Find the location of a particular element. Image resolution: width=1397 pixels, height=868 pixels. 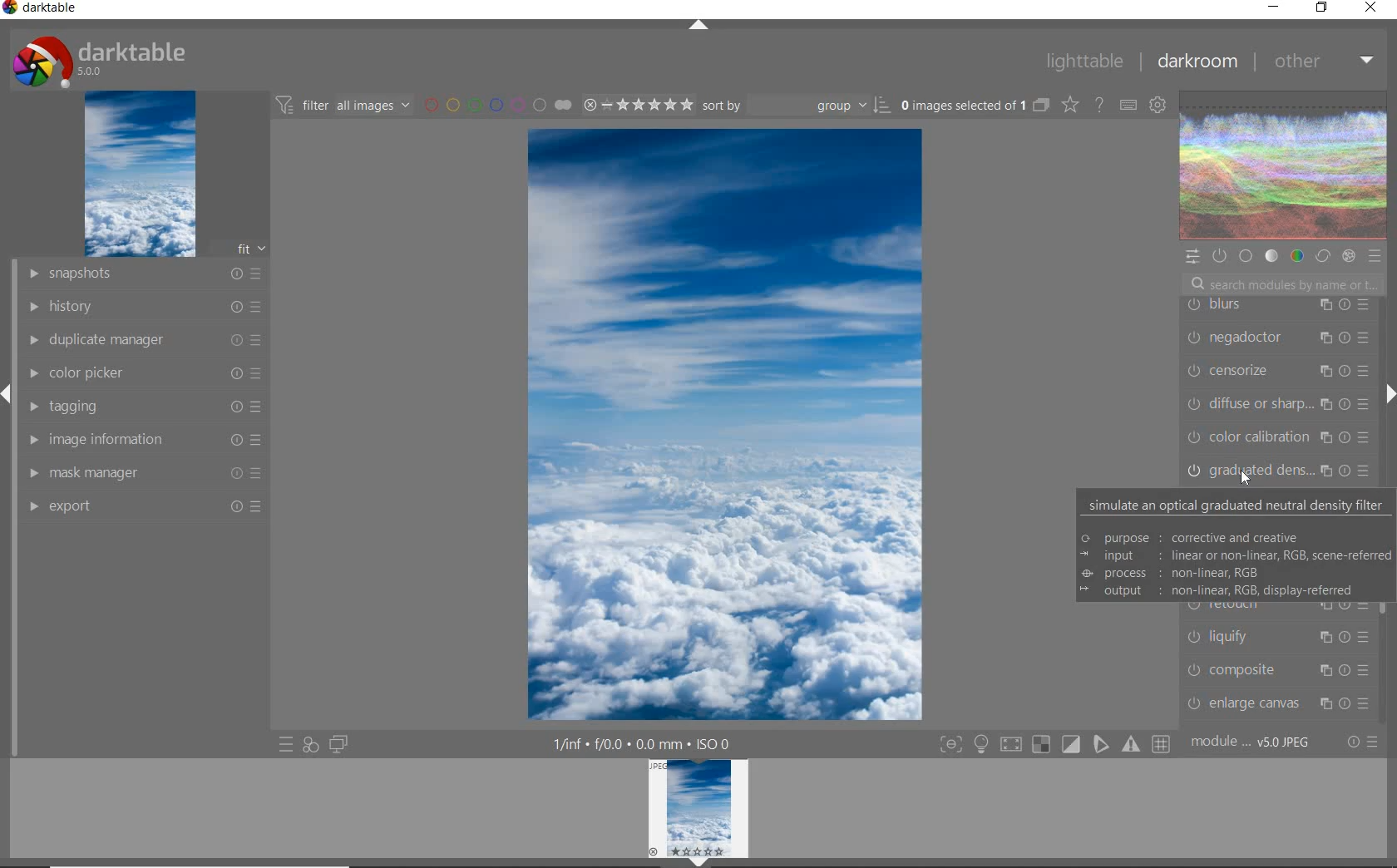

cursor is located at coordinates (1246, 479).